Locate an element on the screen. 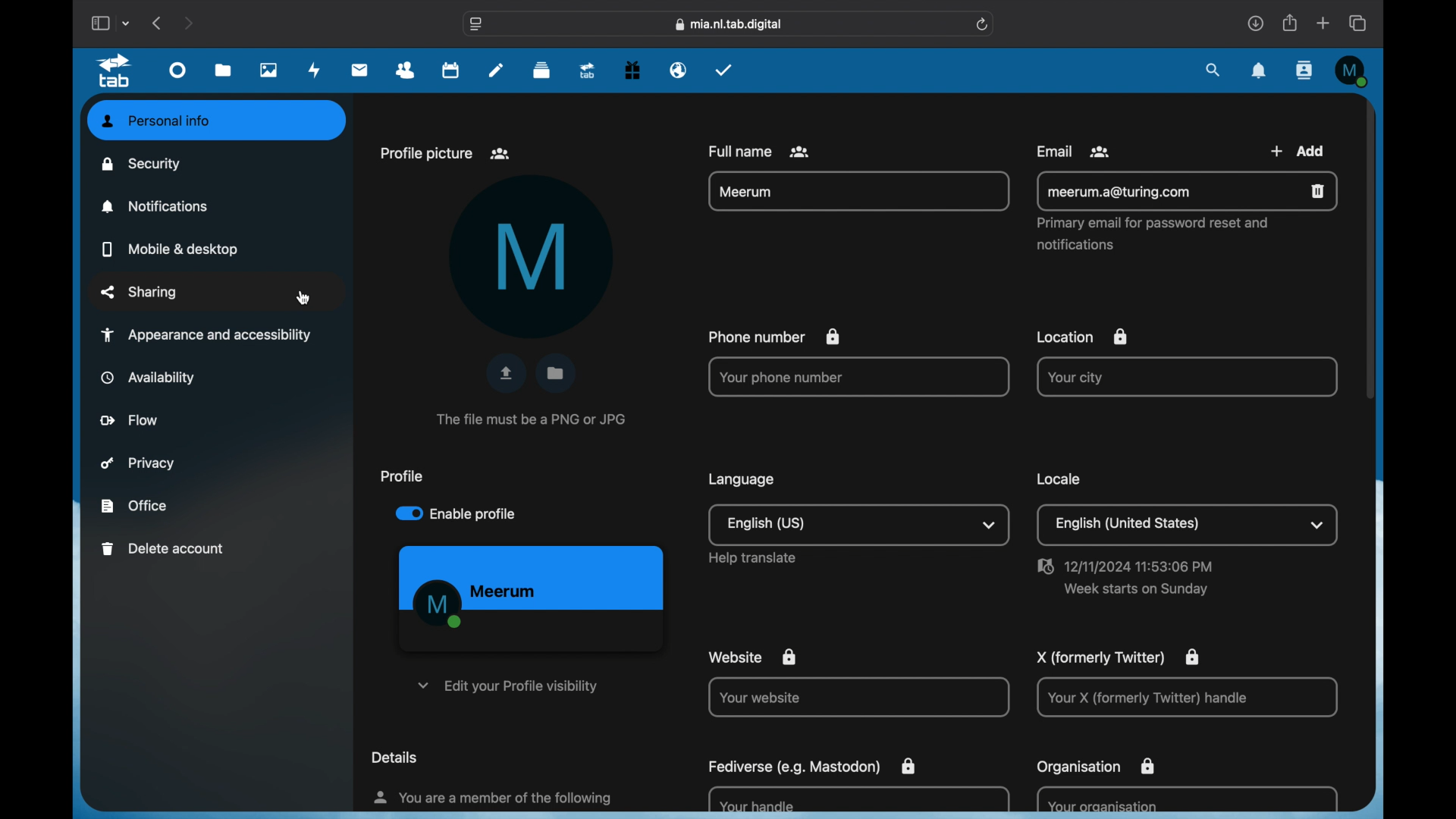 This screenshot has height=819, width=1456. notes is located at coordinates (496, 70).